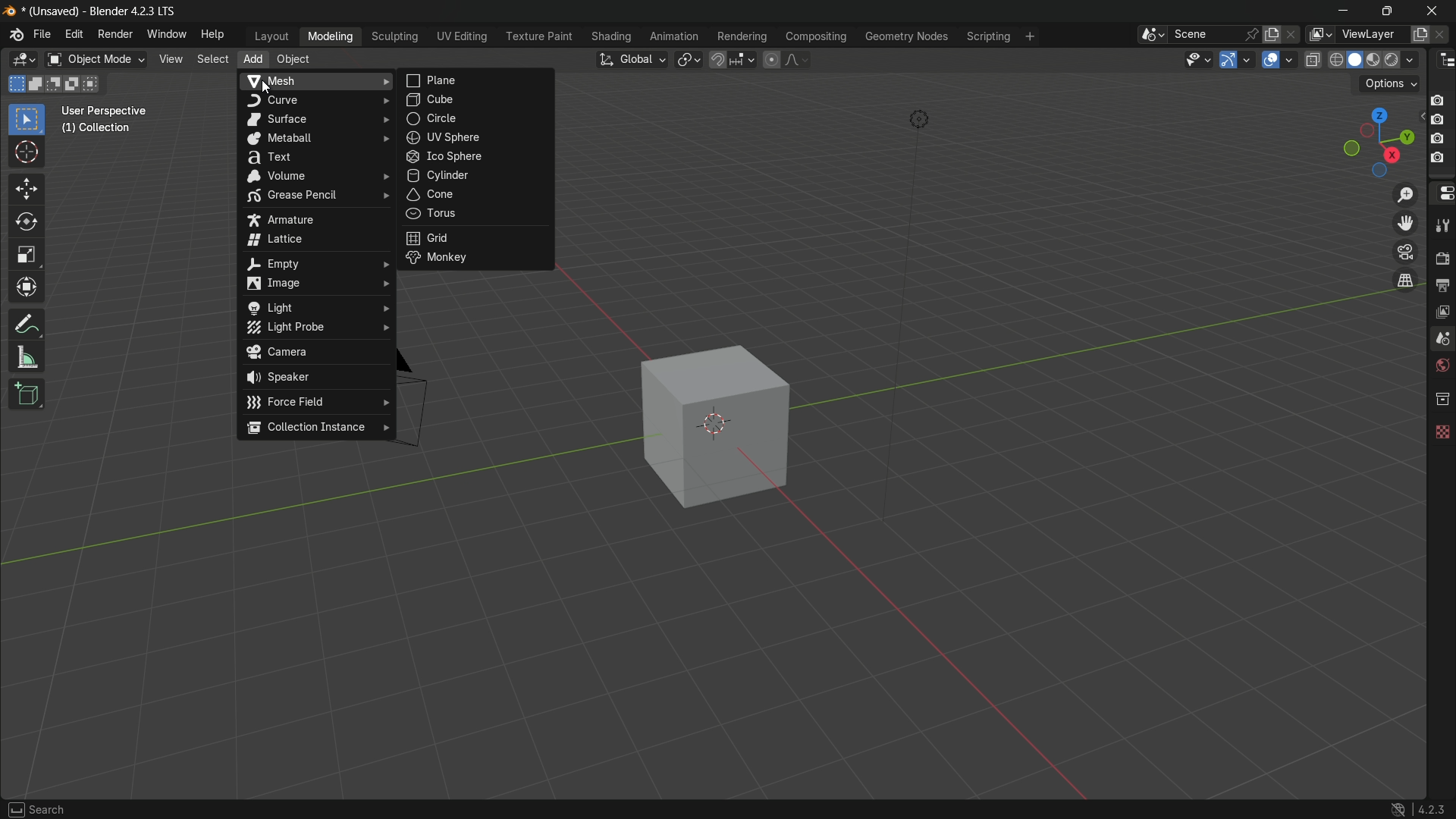 The image size is (1456, 819). What do you see at coordinates (318, 240) in the screenshot?
I see `lattice` at bounding box center [318, 240].